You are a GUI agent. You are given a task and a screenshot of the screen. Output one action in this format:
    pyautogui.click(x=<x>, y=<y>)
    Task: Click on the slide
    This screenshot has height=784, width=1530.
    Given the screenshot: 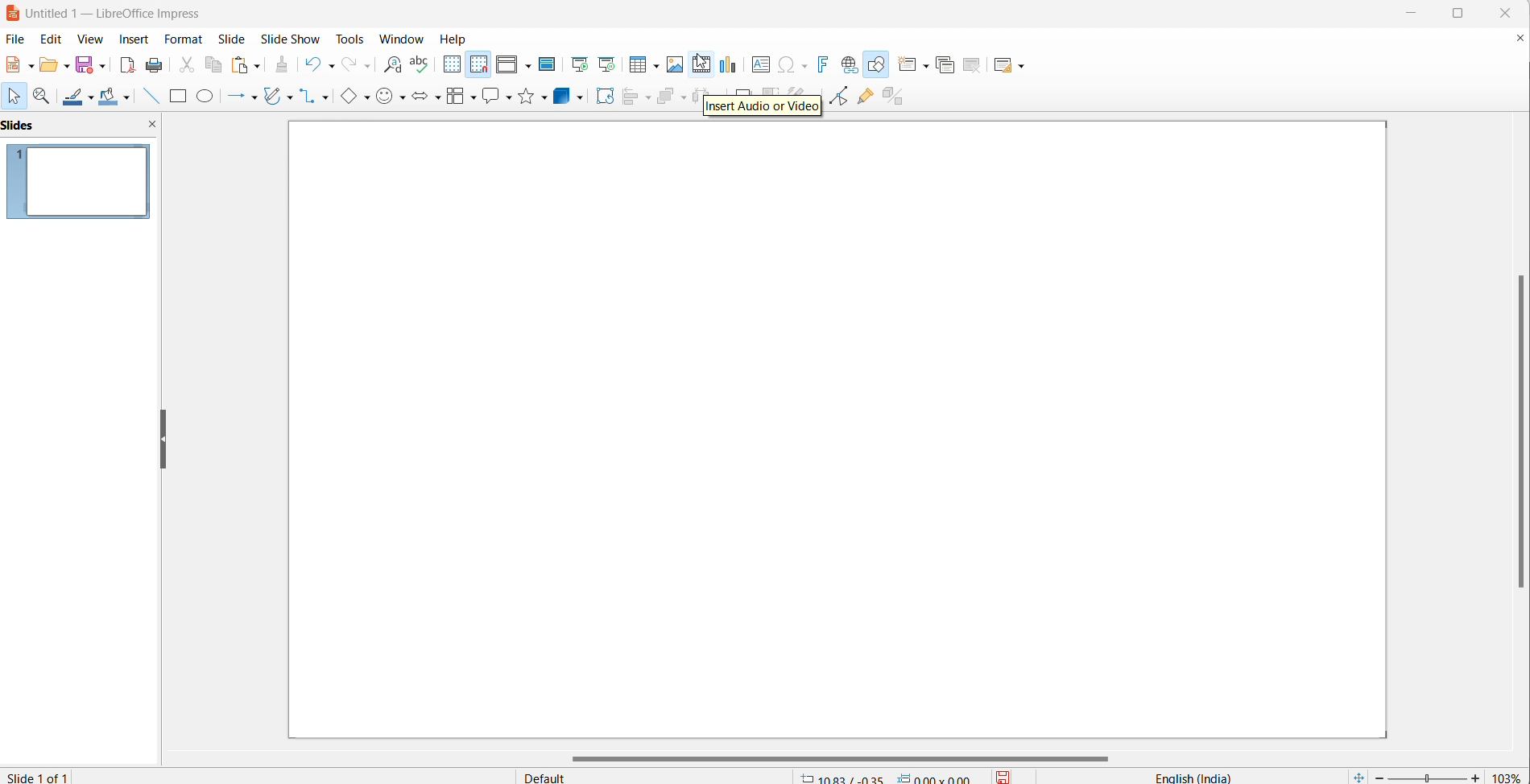 What is the action you would take?
    pyautogui.click(x=237, y=39)
    